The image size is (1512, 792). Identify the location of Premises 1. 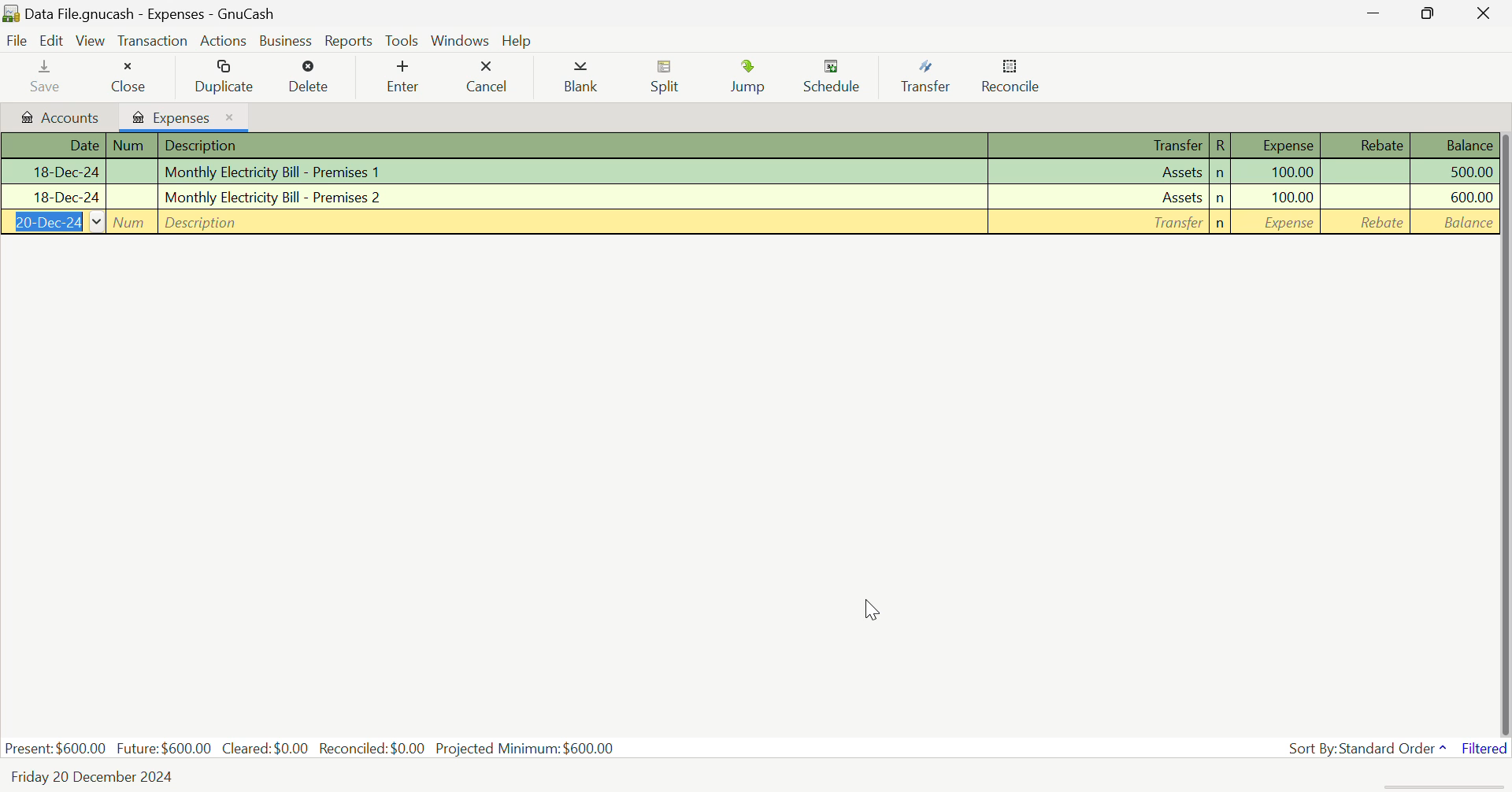
(573, 172).